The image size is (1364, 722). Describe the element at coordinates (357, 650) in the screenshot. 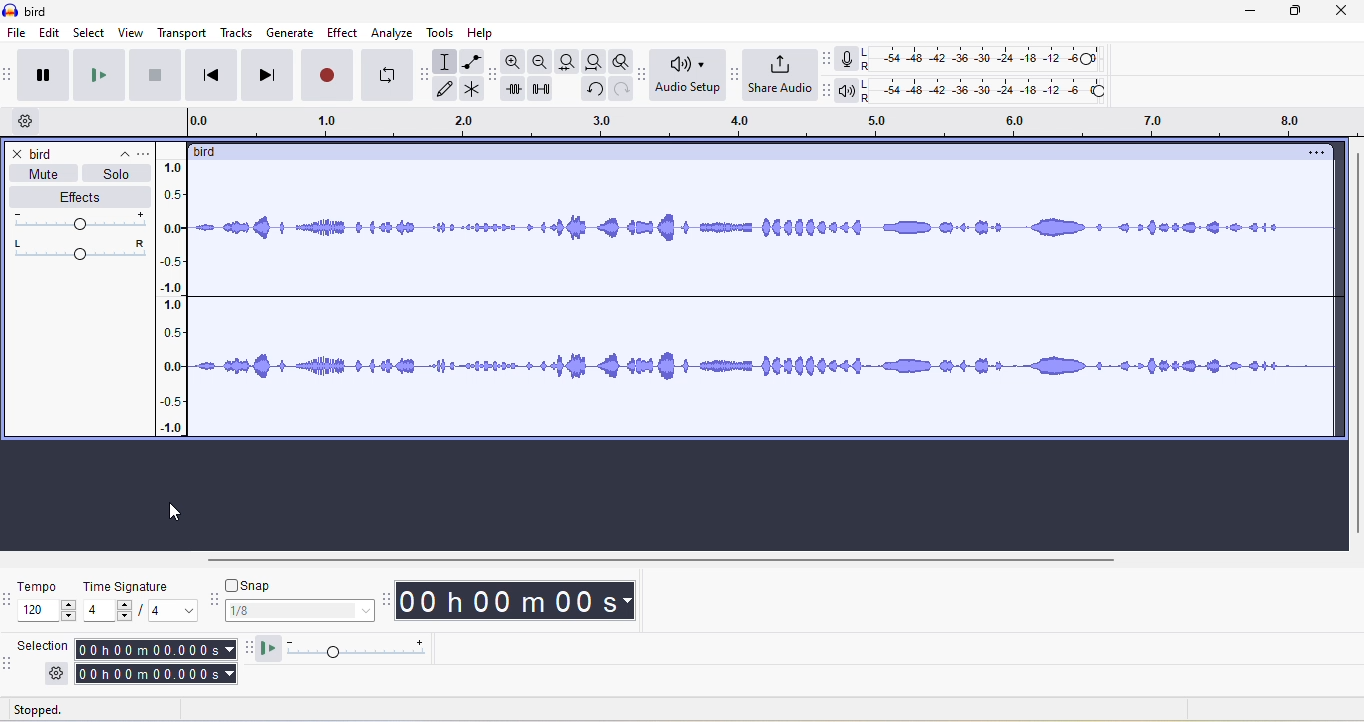

I see `play at speed` at that location.